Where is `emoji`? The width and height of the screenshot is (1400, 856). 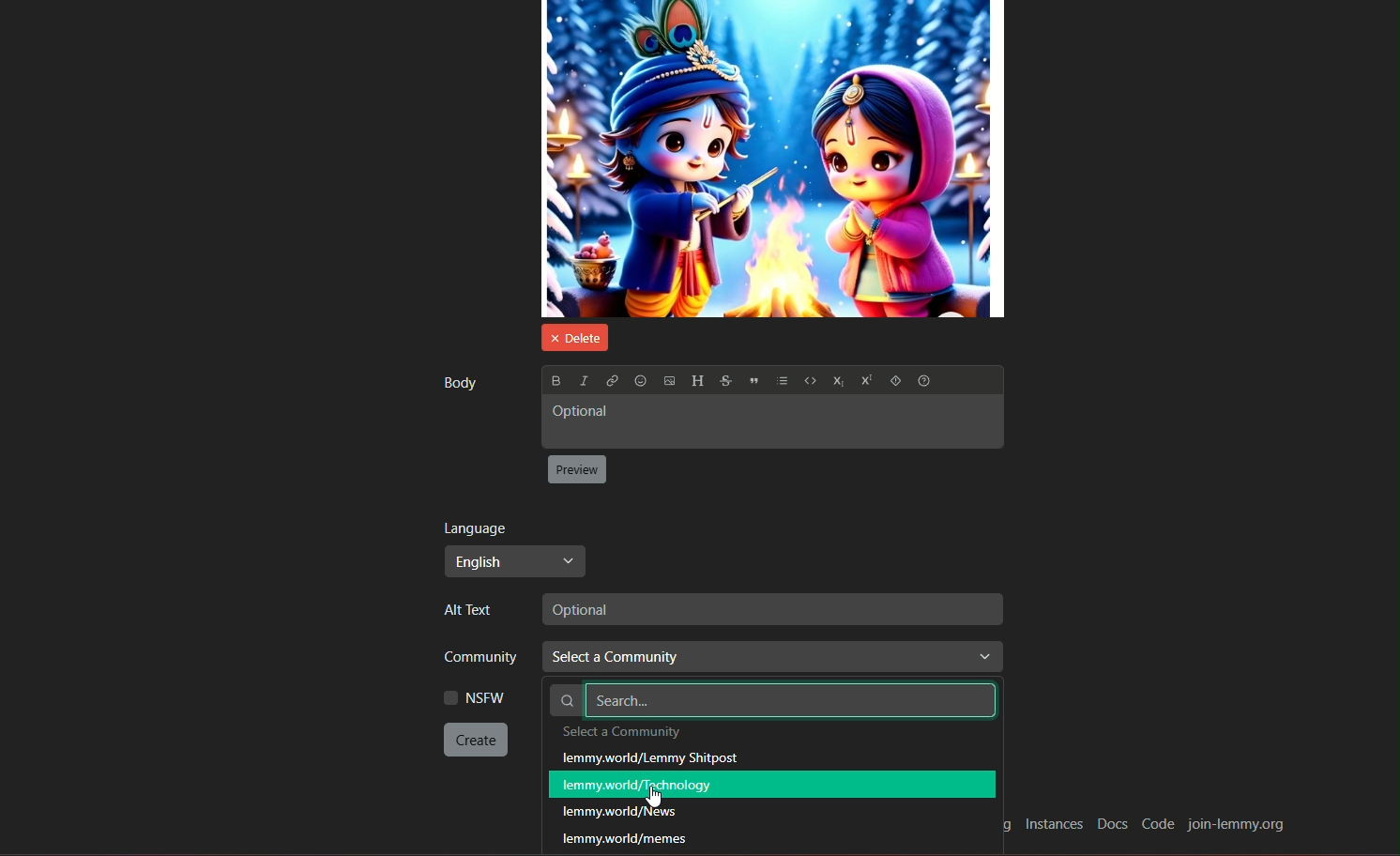
emoji is located at coordinates (640, 381).